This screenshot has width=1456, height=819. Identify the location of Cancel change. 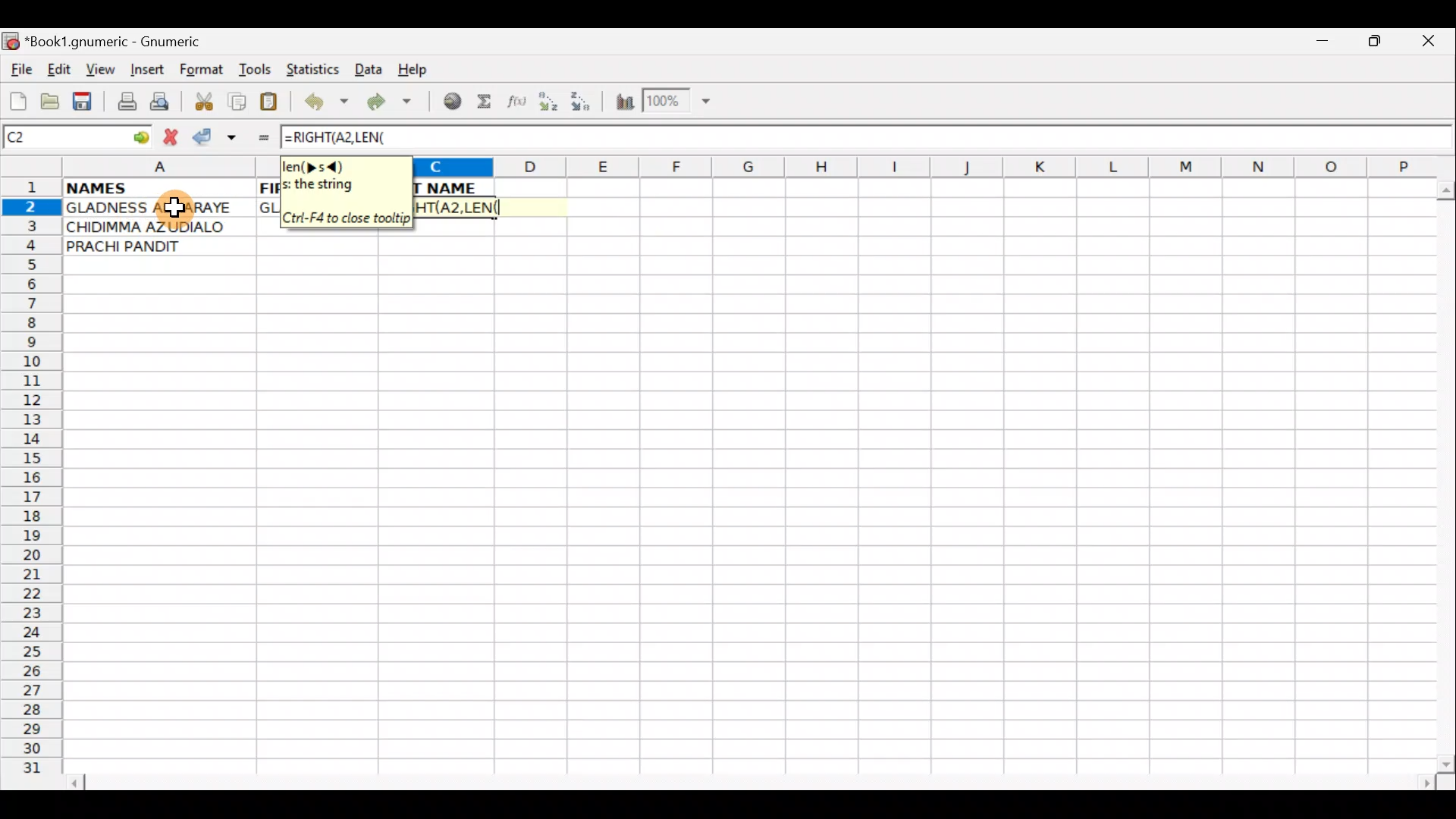
(174, 134).